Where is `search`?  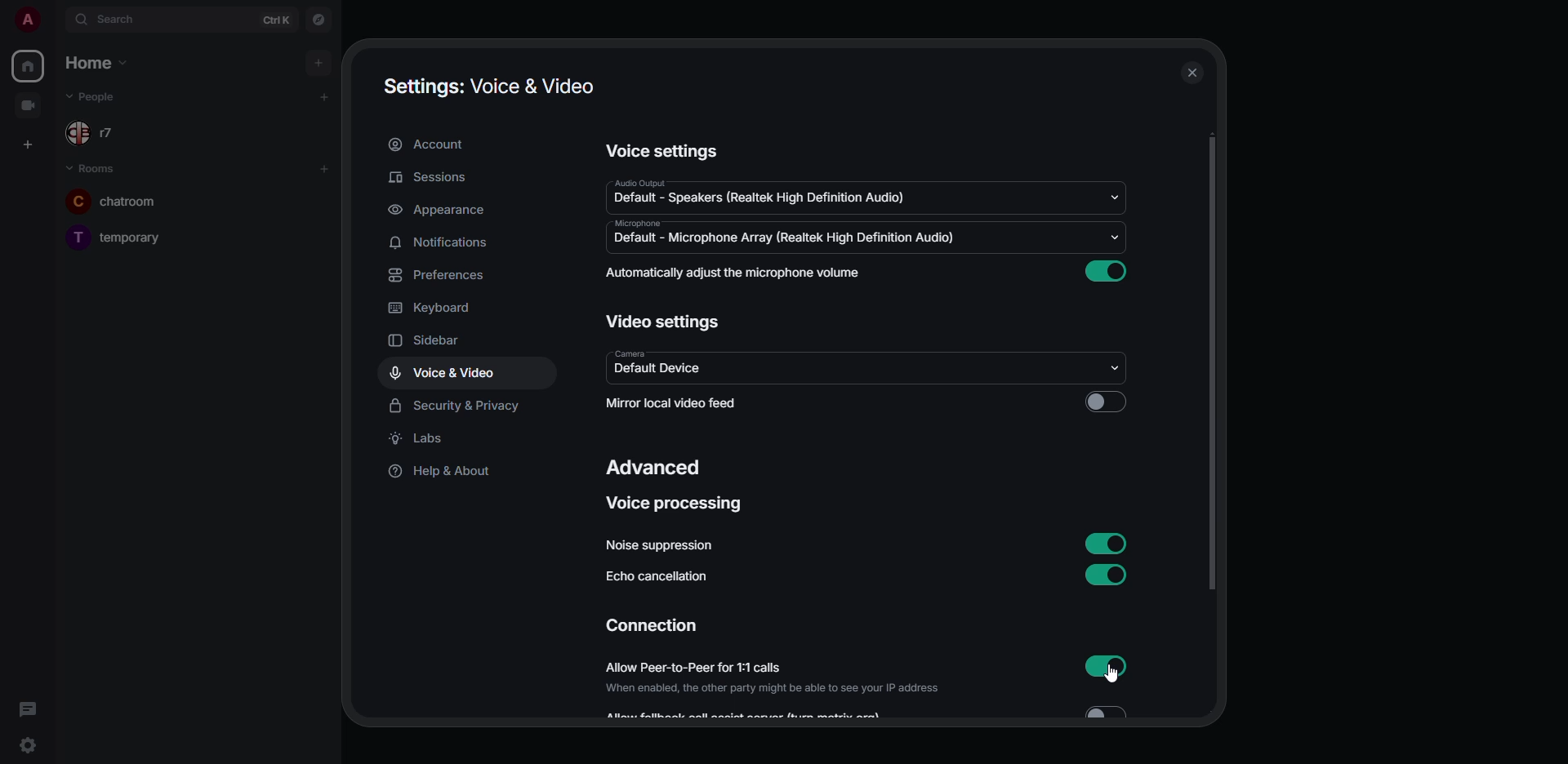 search is located at coordinates (127, 19).